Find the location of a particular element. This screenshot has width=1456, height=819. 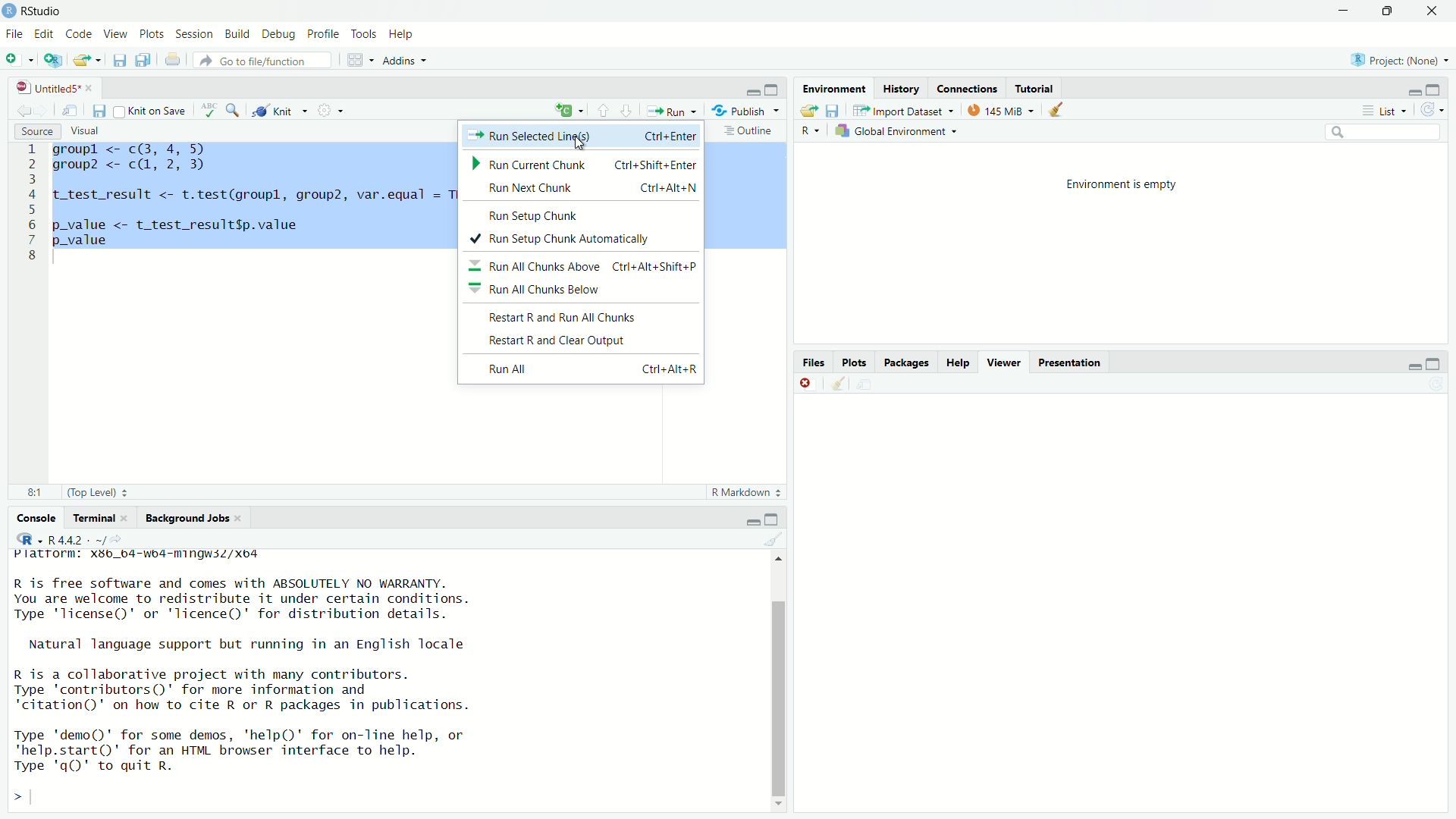

File is located at coordinates (14, 34).